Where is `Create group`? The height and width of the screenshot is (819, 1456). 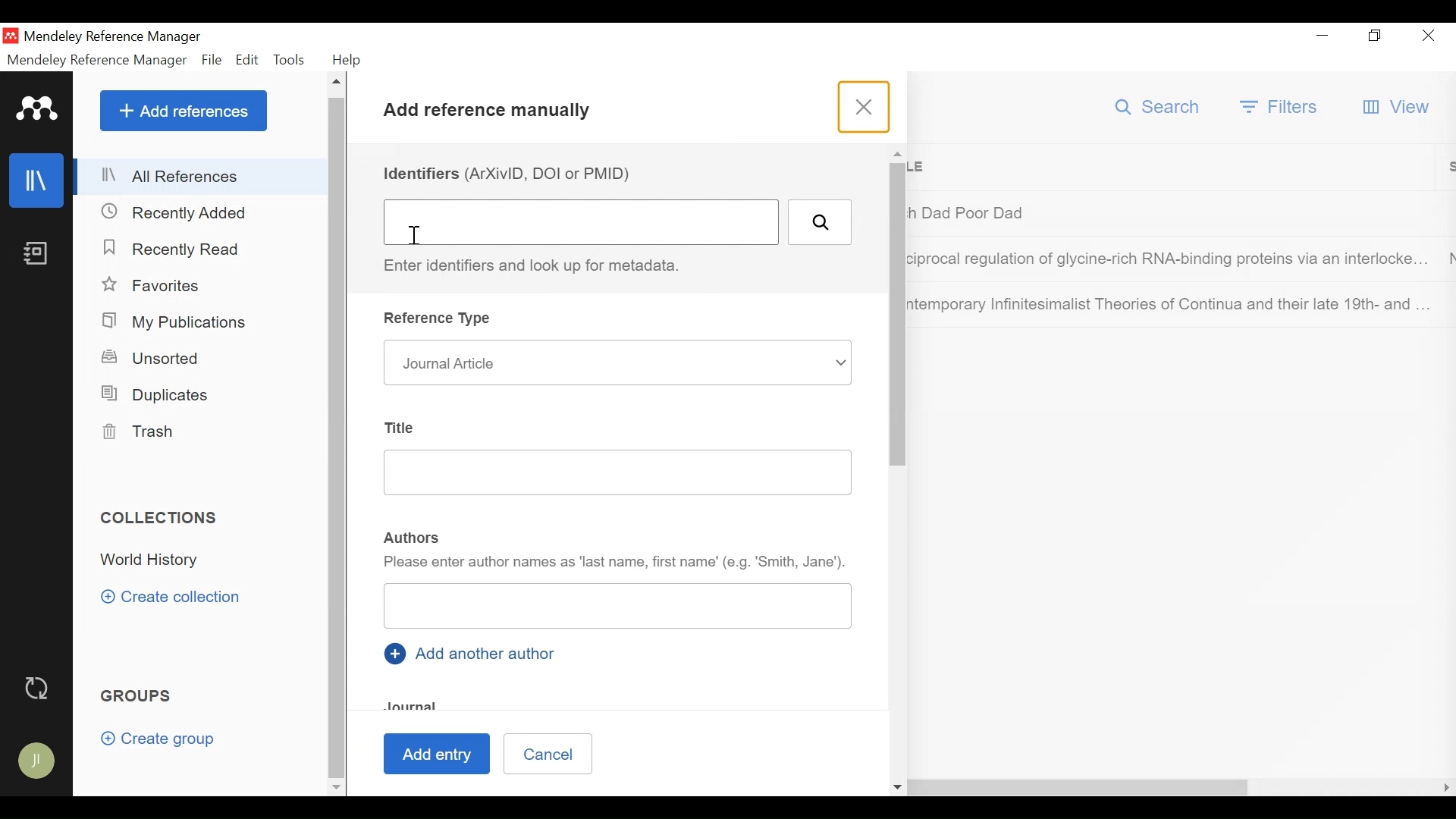
Create group is located at coordinates (161, 739).